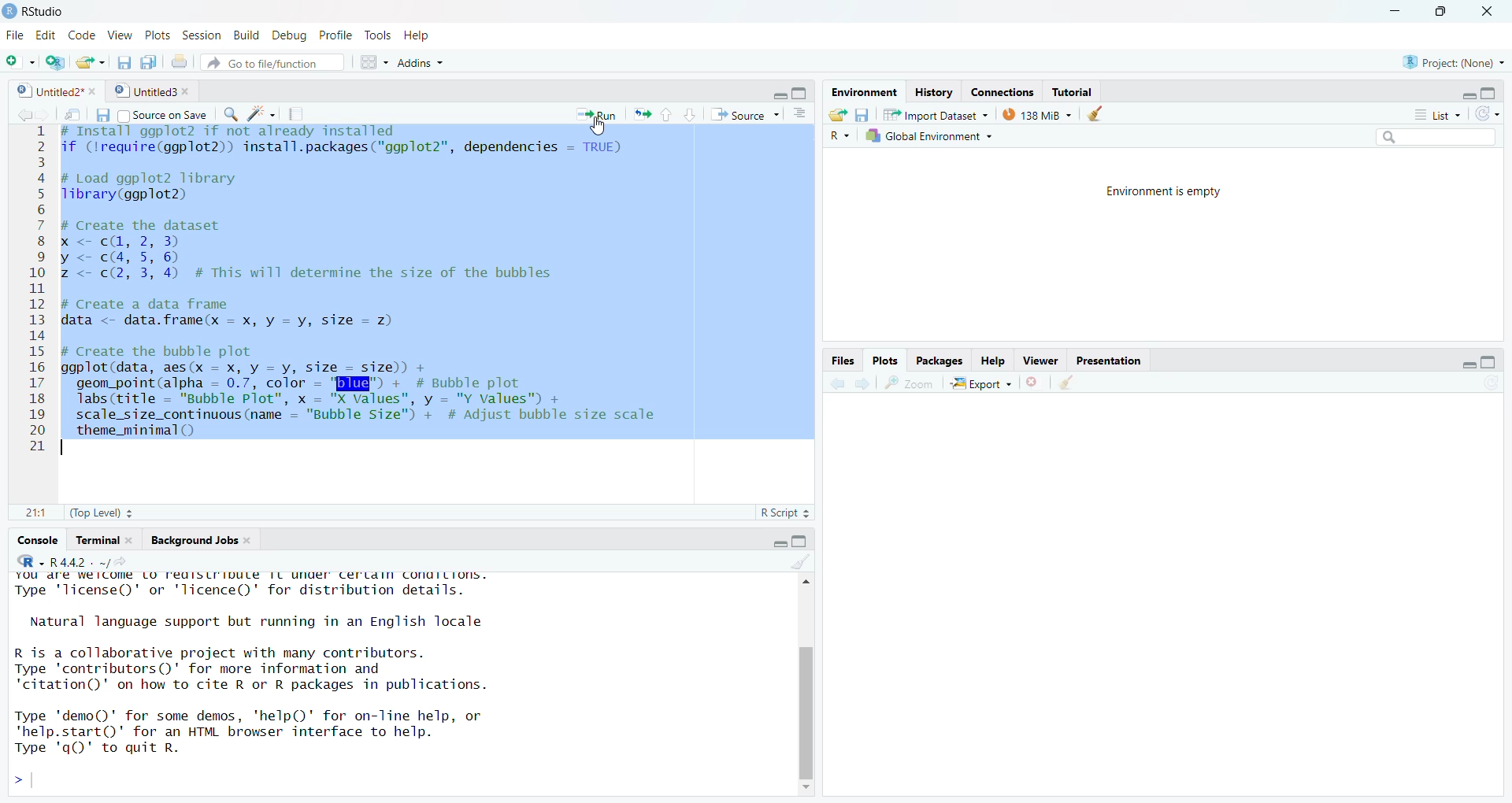  Describe the element at coordinates (291, 35) in the screenshot. I see `Debug` at that location.